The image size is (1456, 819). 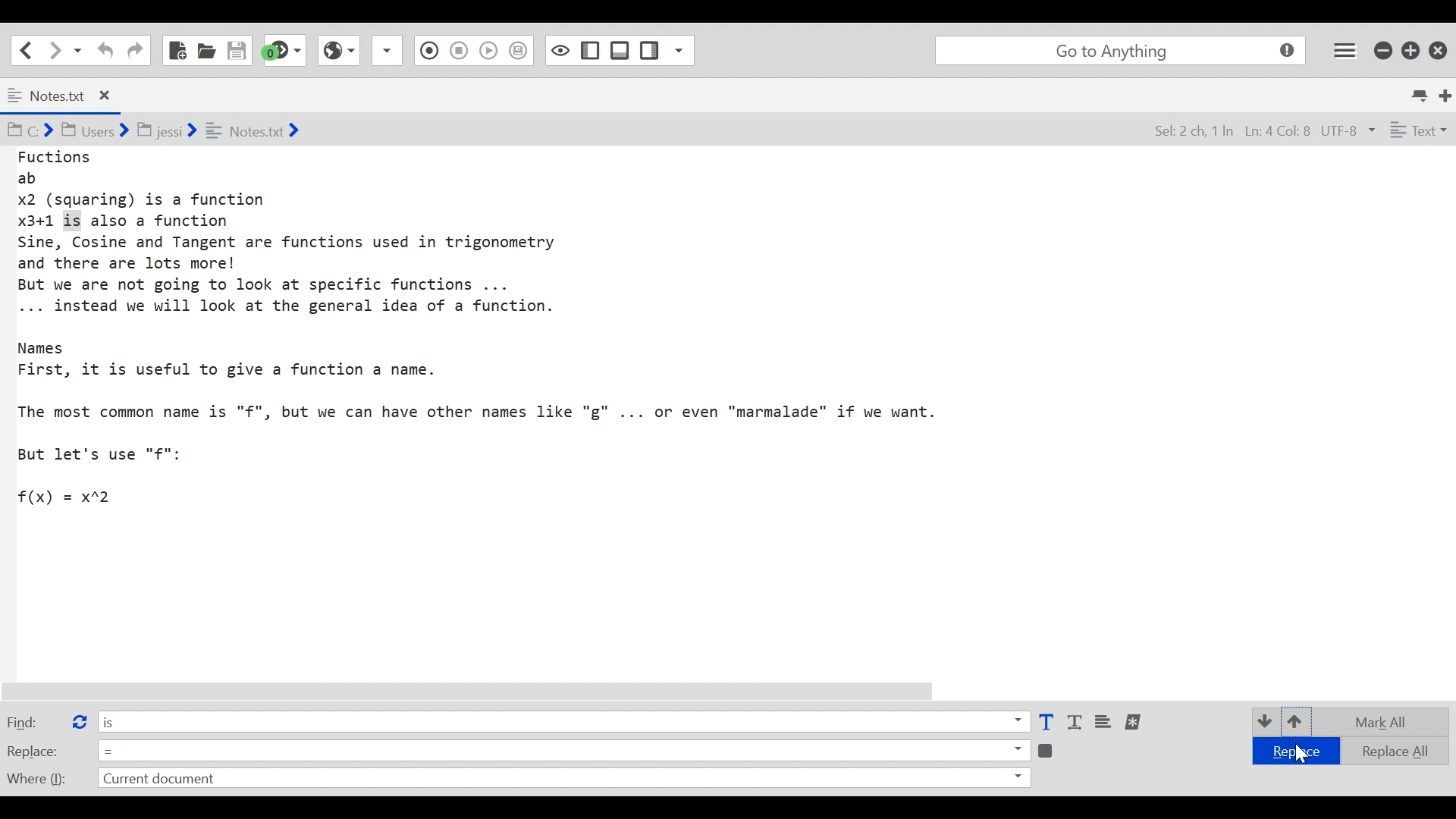 What do you see at coordinates (520, 51) in the screenshot?
I see `Toggle Focus mode` at bounding box center [520, 51].